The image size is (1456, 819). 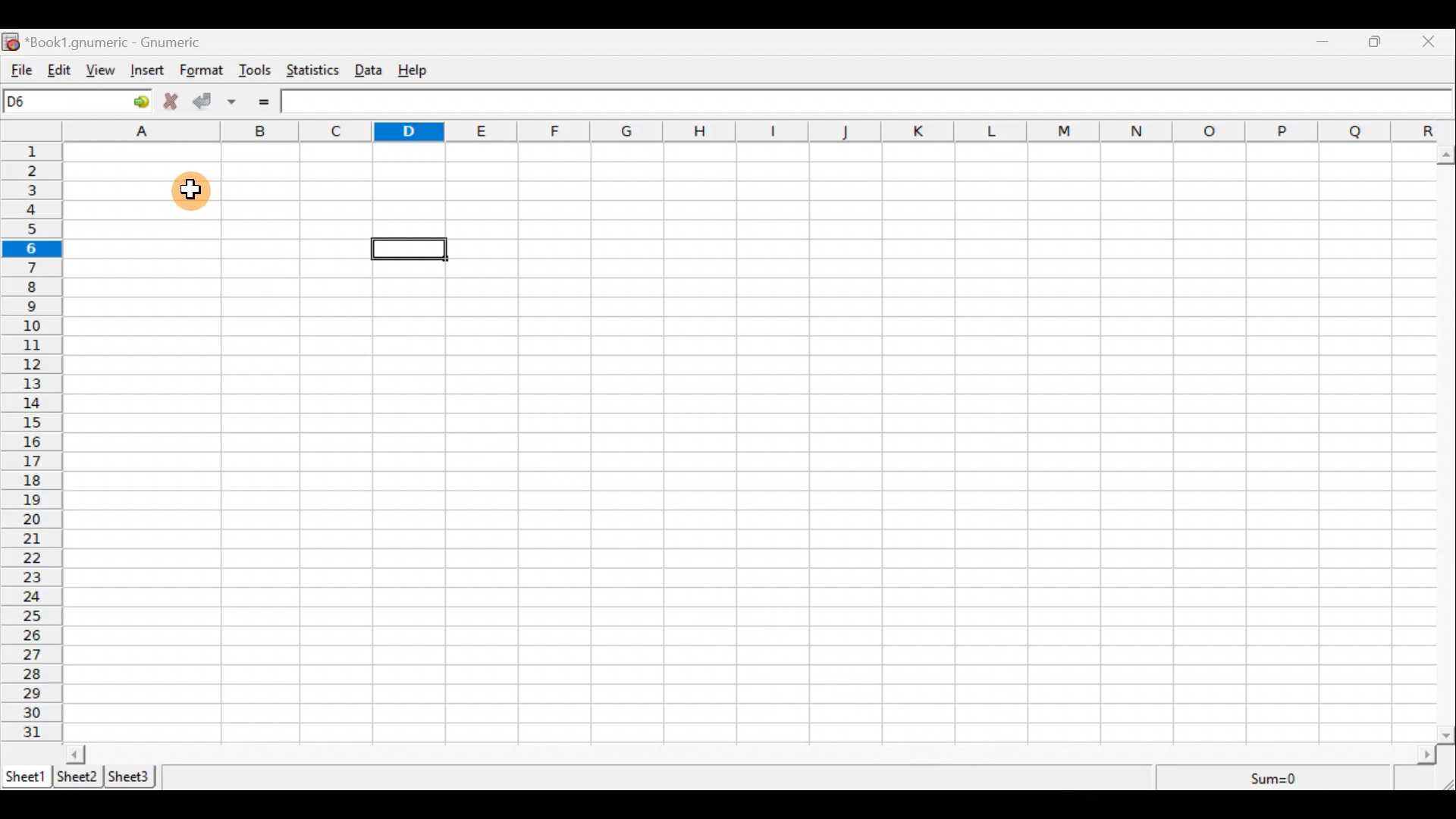 I want to click on icon, so click(x=11, y=42).